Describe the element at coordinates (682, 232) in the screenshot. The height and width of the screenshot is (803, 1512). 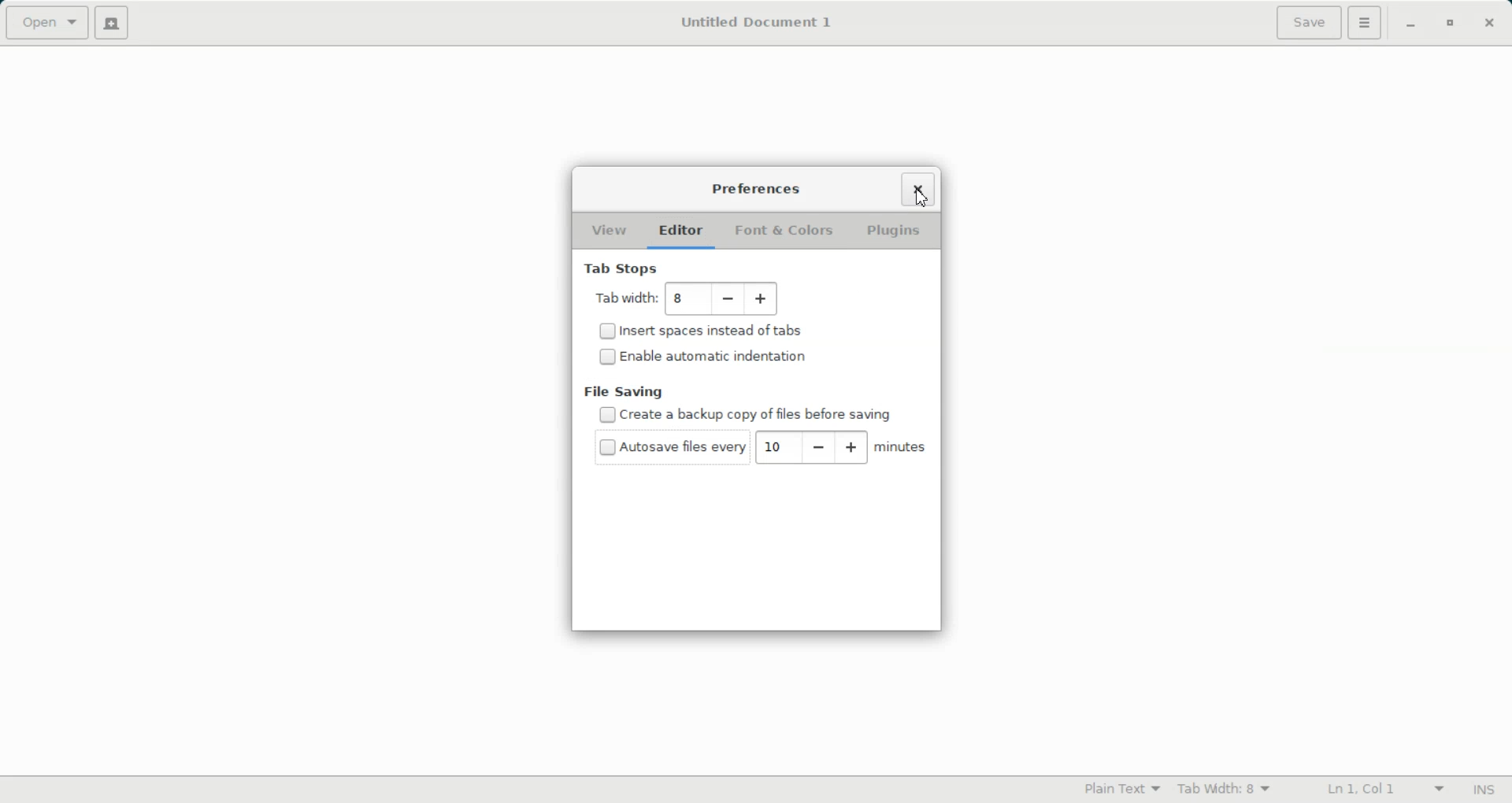
I see `Editor` at that location.